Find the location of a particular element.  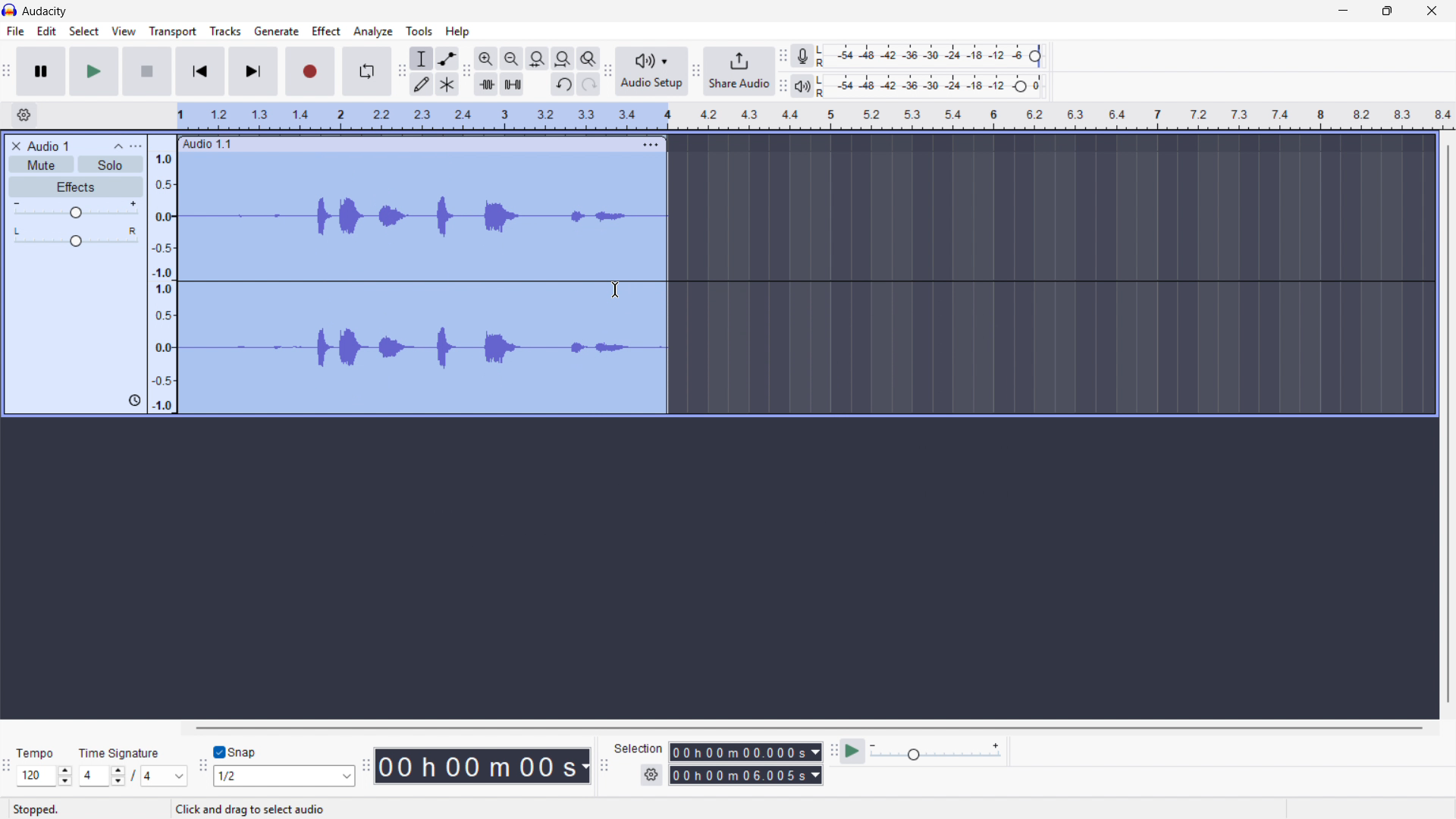

Record  is located at coordinates (311, 71).